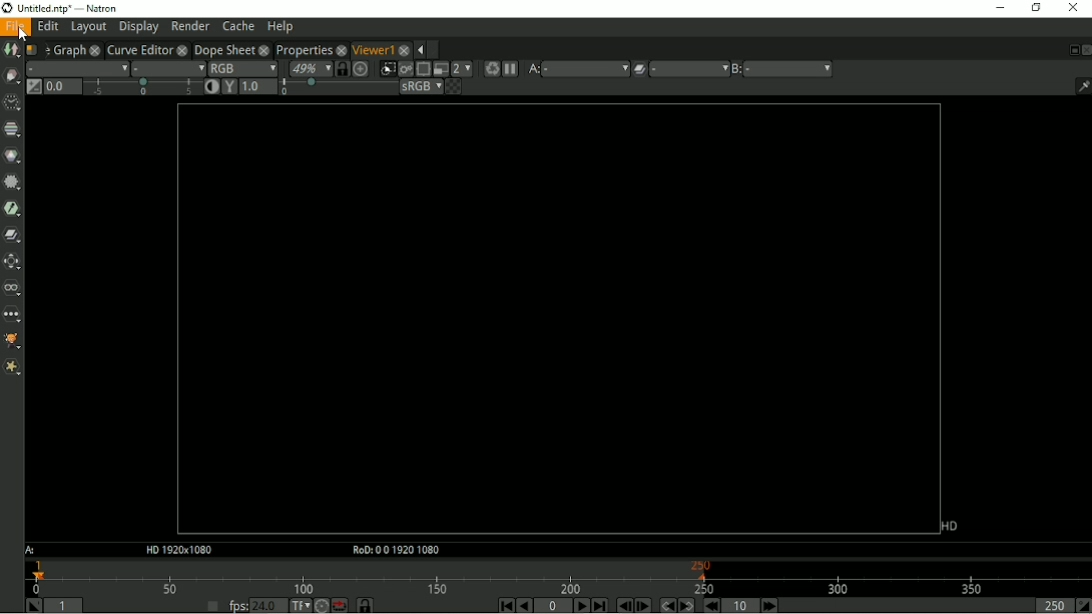  I want to click on Graph, so click(68, 49).